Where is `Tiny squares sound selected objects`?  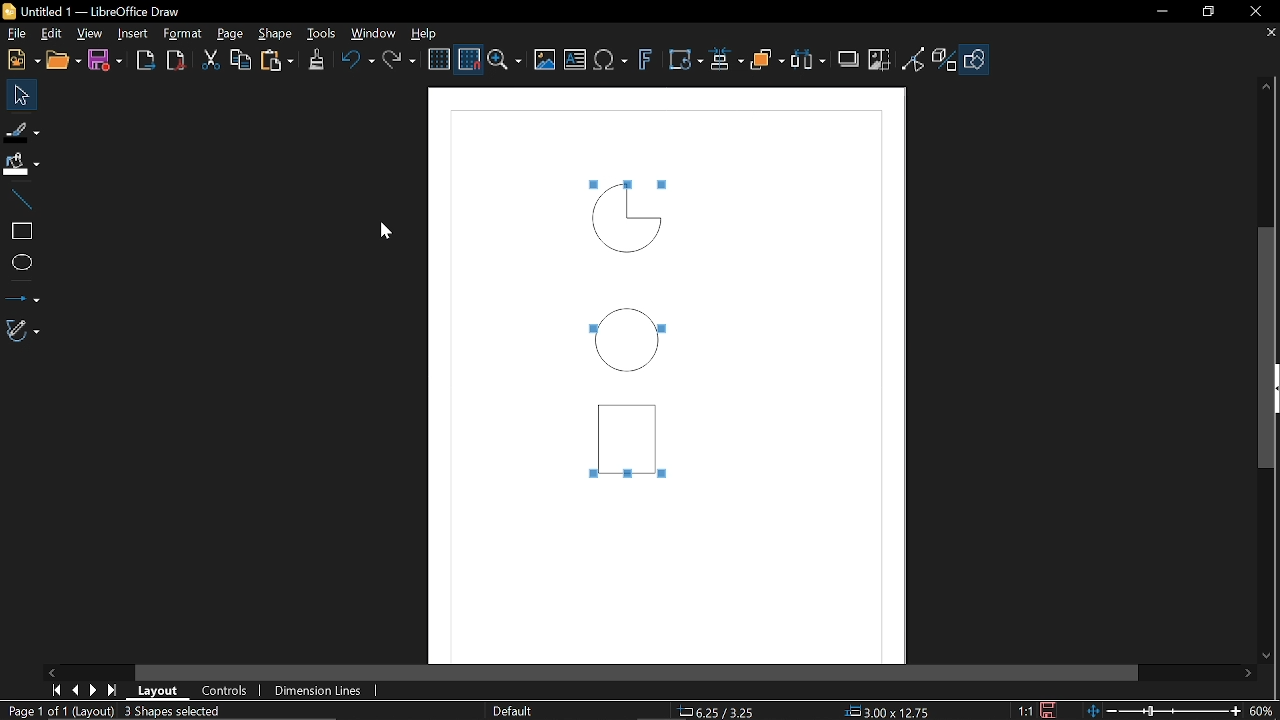
Tiny squares sound selected objects is located at coordinates (592, 185).